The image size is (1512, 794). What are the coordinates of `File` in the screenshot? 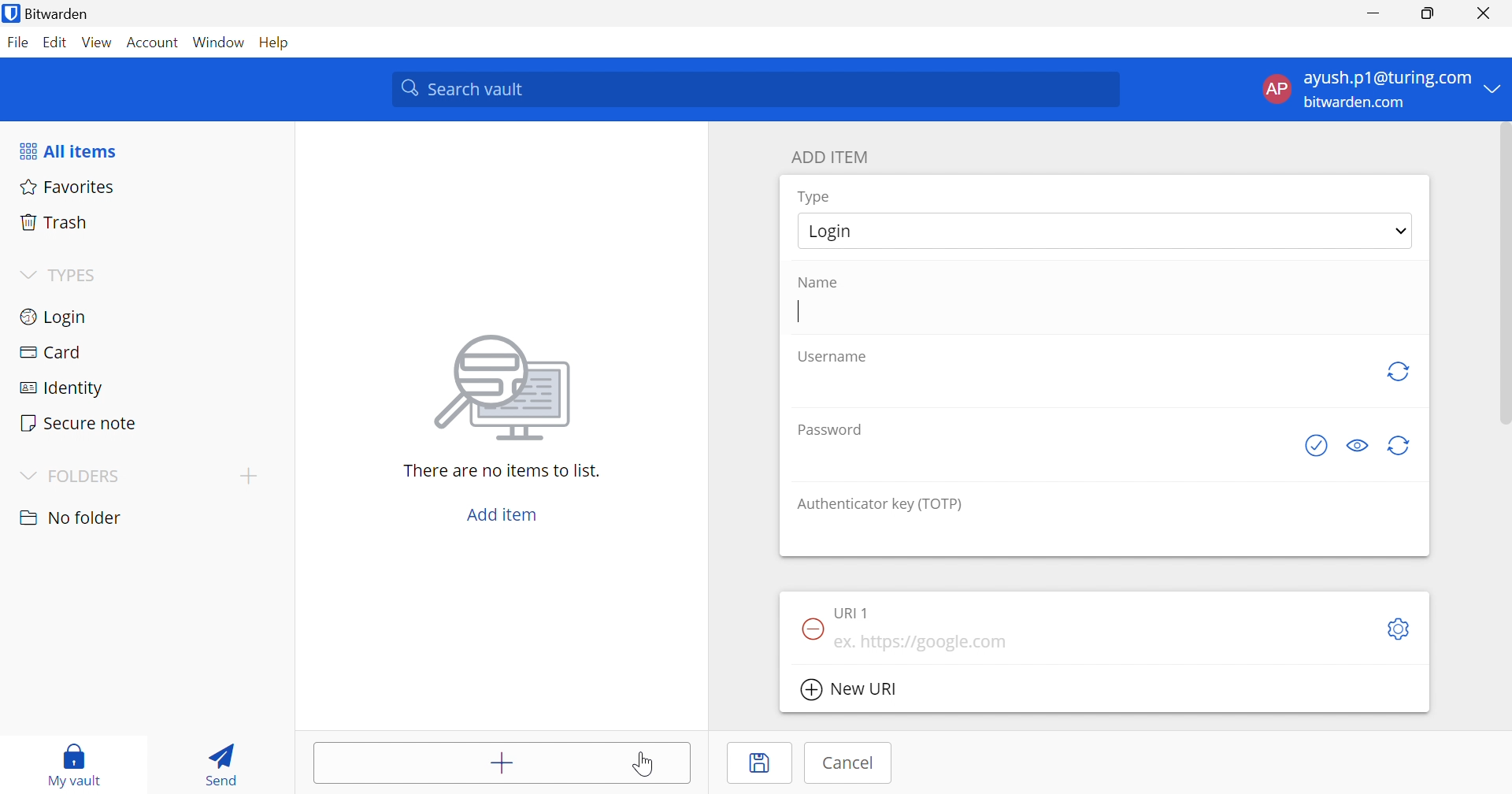 It's located at (17, 42).